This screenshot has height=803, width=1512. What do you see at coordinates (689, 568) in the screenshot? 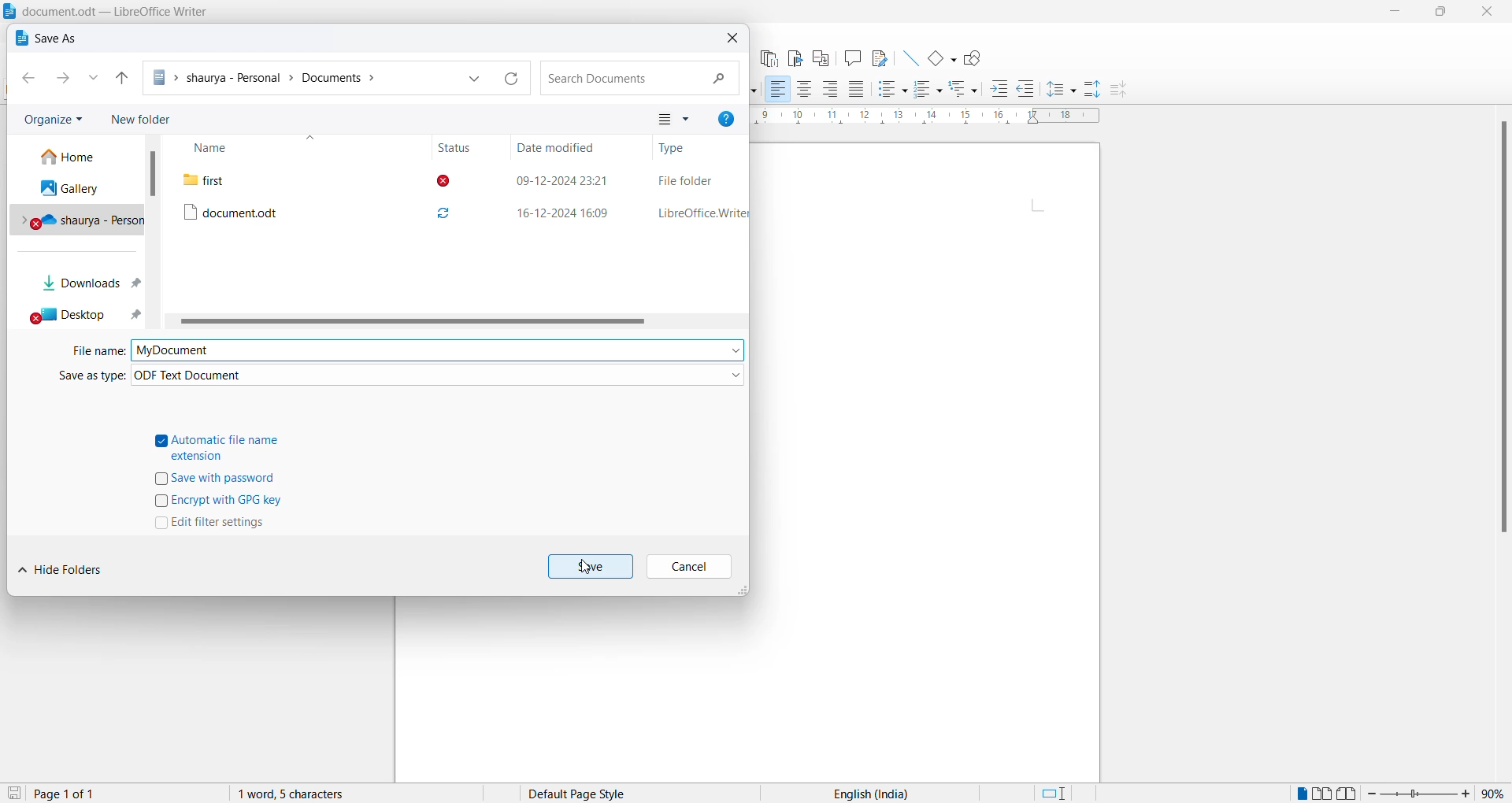
I see `cancel` at bounding box center [689, 568].